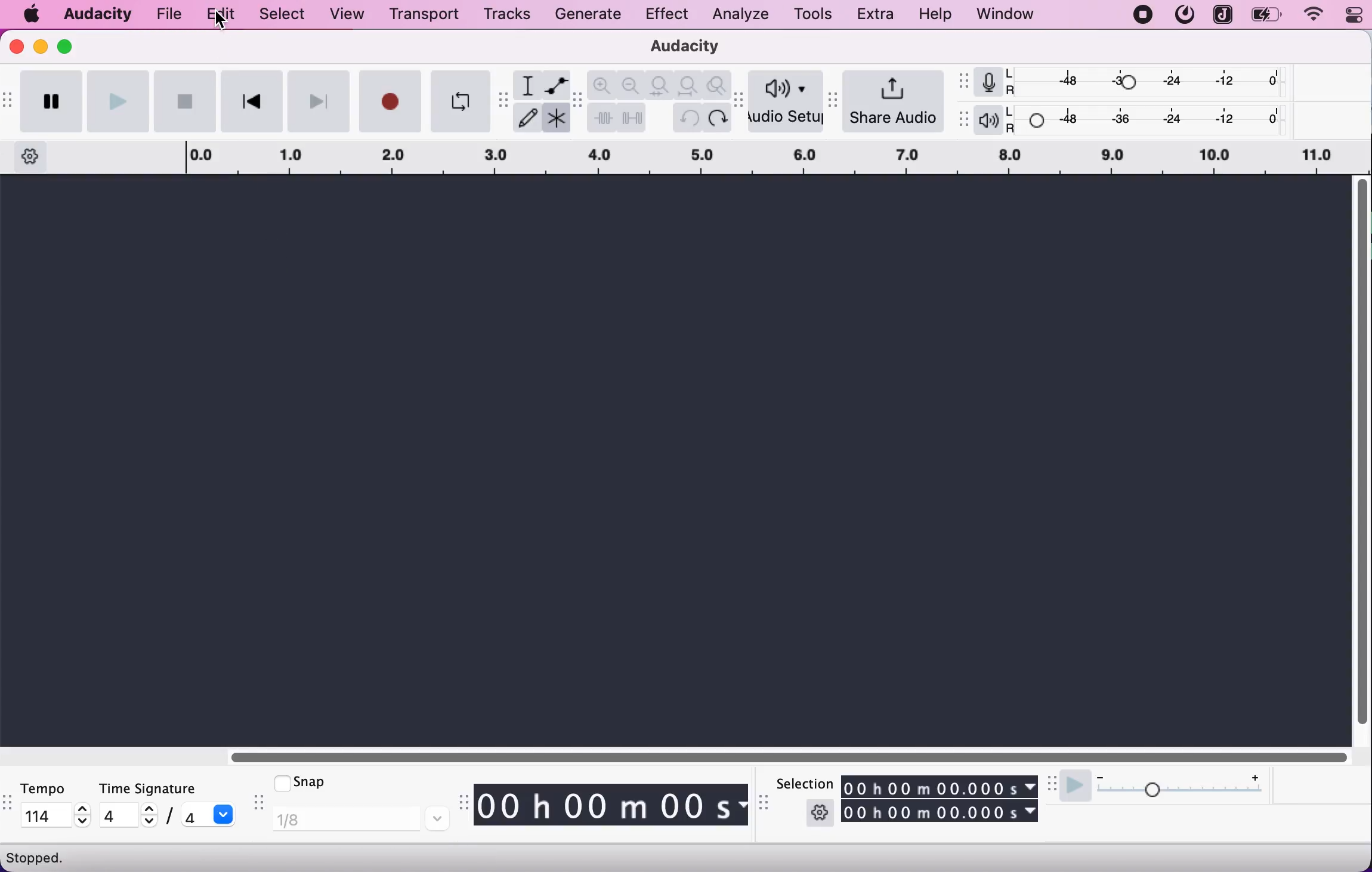  I want to click on play, so click(118, 100).